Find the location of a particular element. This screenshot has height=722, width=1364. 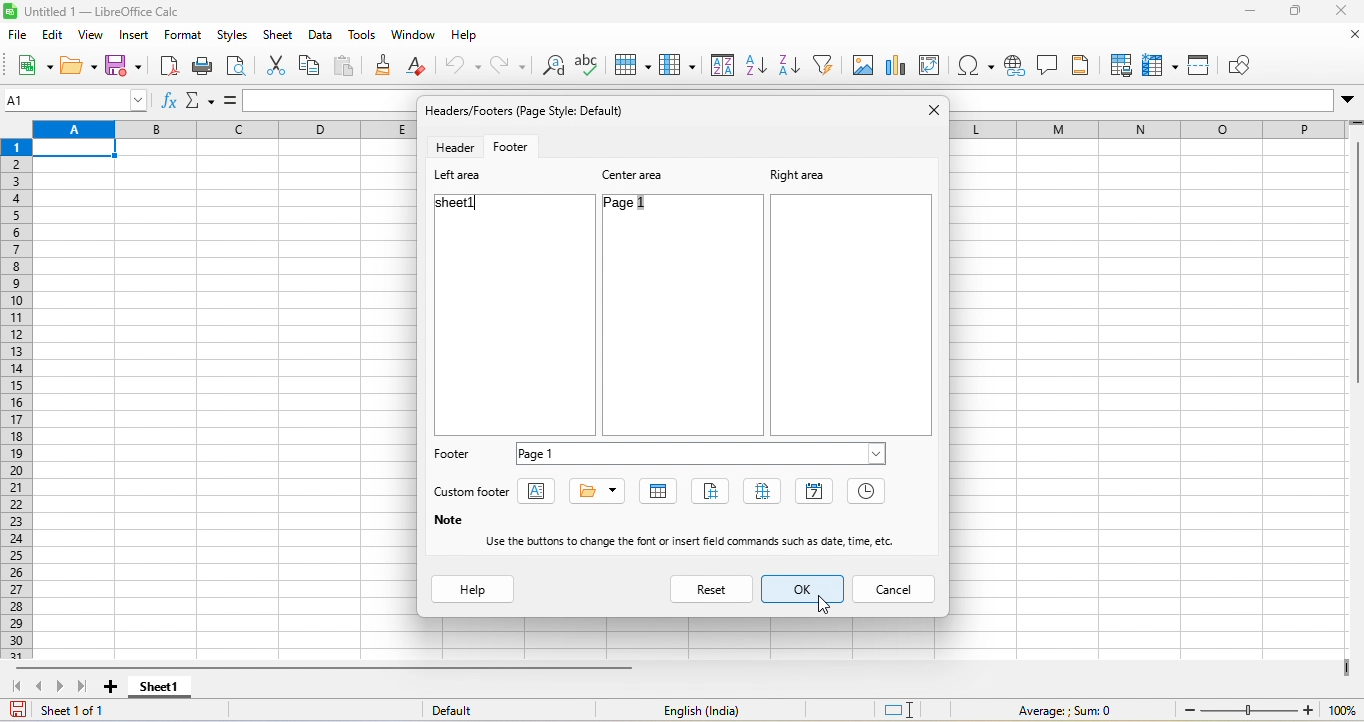

page 1 is located at coordinates (703, 452).